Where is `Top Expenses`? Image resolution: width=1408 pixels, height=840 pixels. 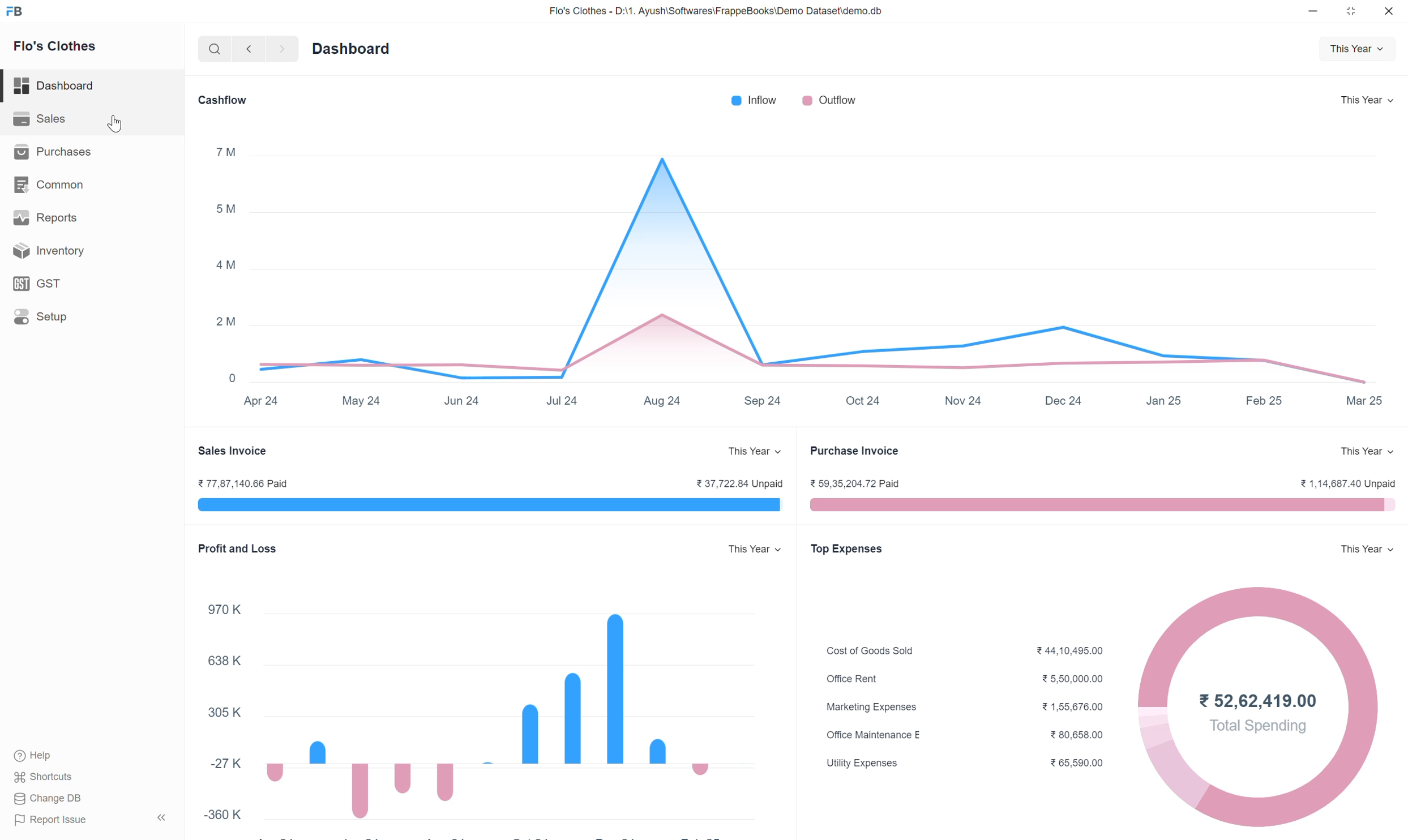
Top Expenses is located at coordinates (842, 548).